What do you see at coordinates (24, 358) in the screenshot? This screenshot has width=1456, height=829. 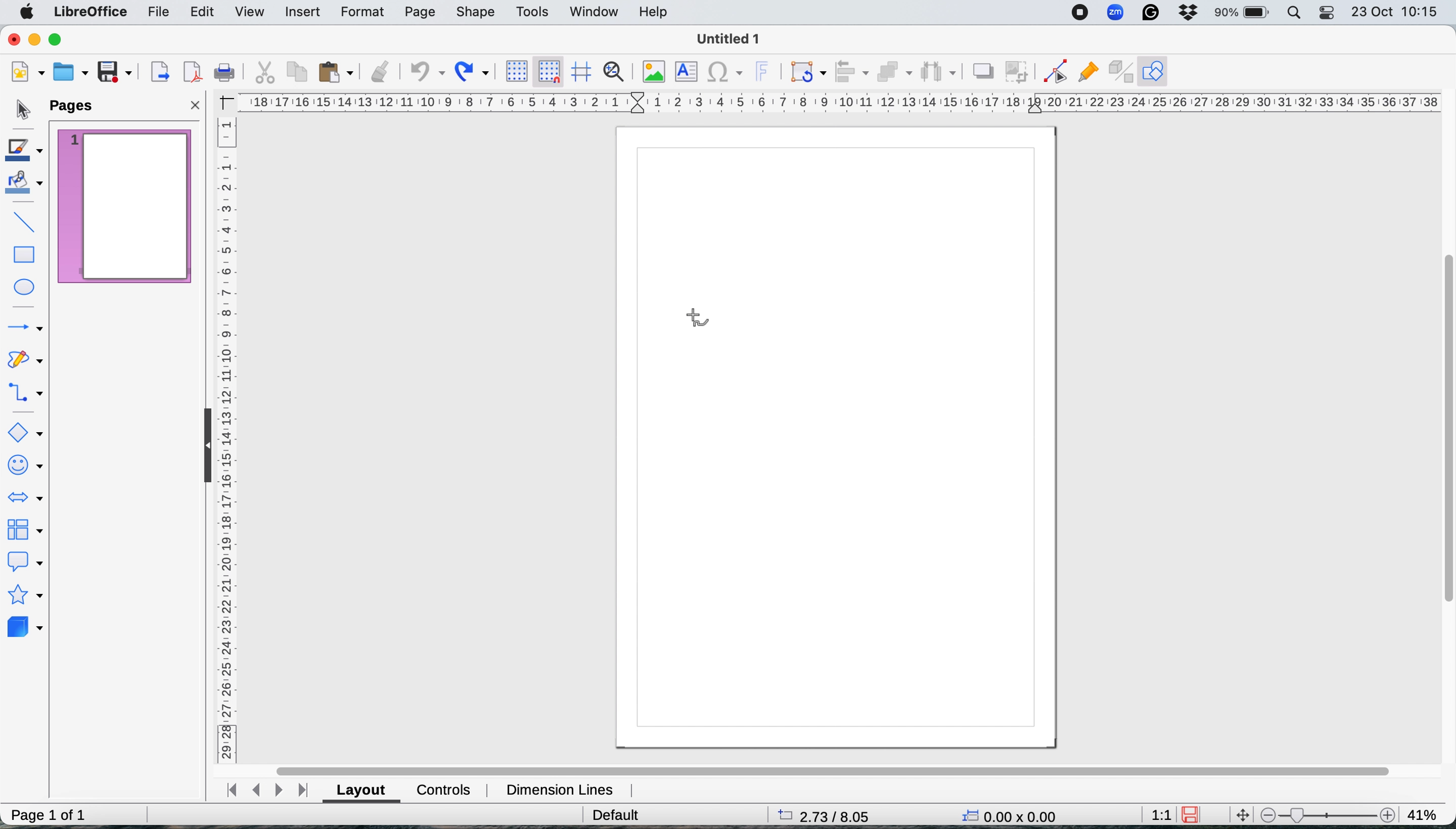 I see `curves and polygons` at bounding box center [24, 358].